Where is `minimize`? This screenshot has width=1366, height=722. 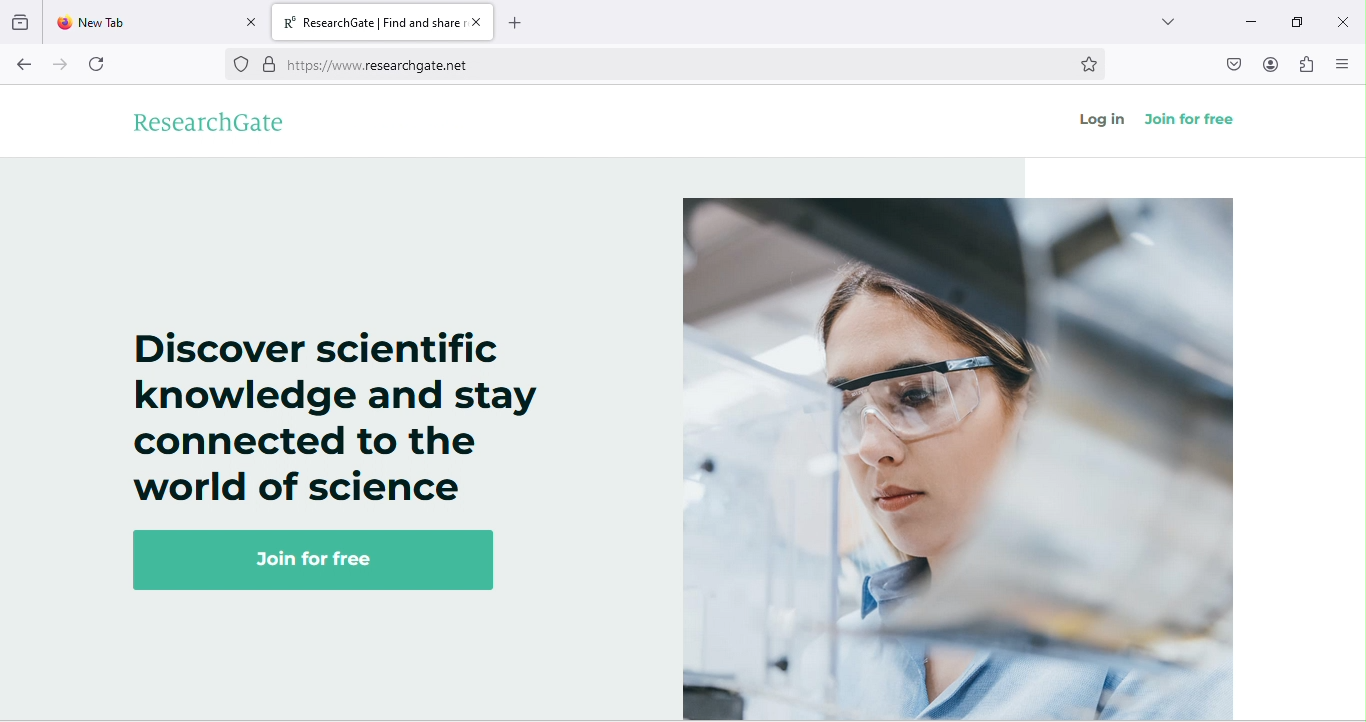
minimize is located at coordinates (1254, 22).